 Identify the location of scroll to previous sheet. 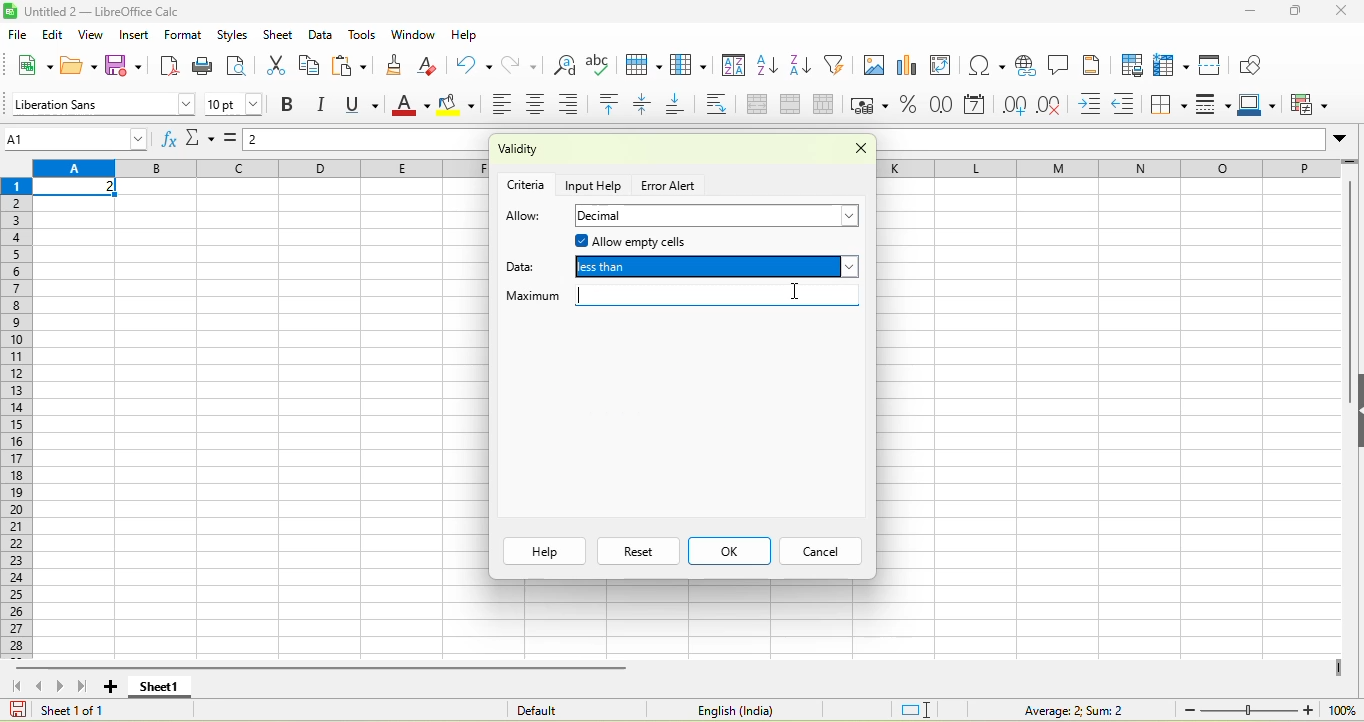
(41, 686).